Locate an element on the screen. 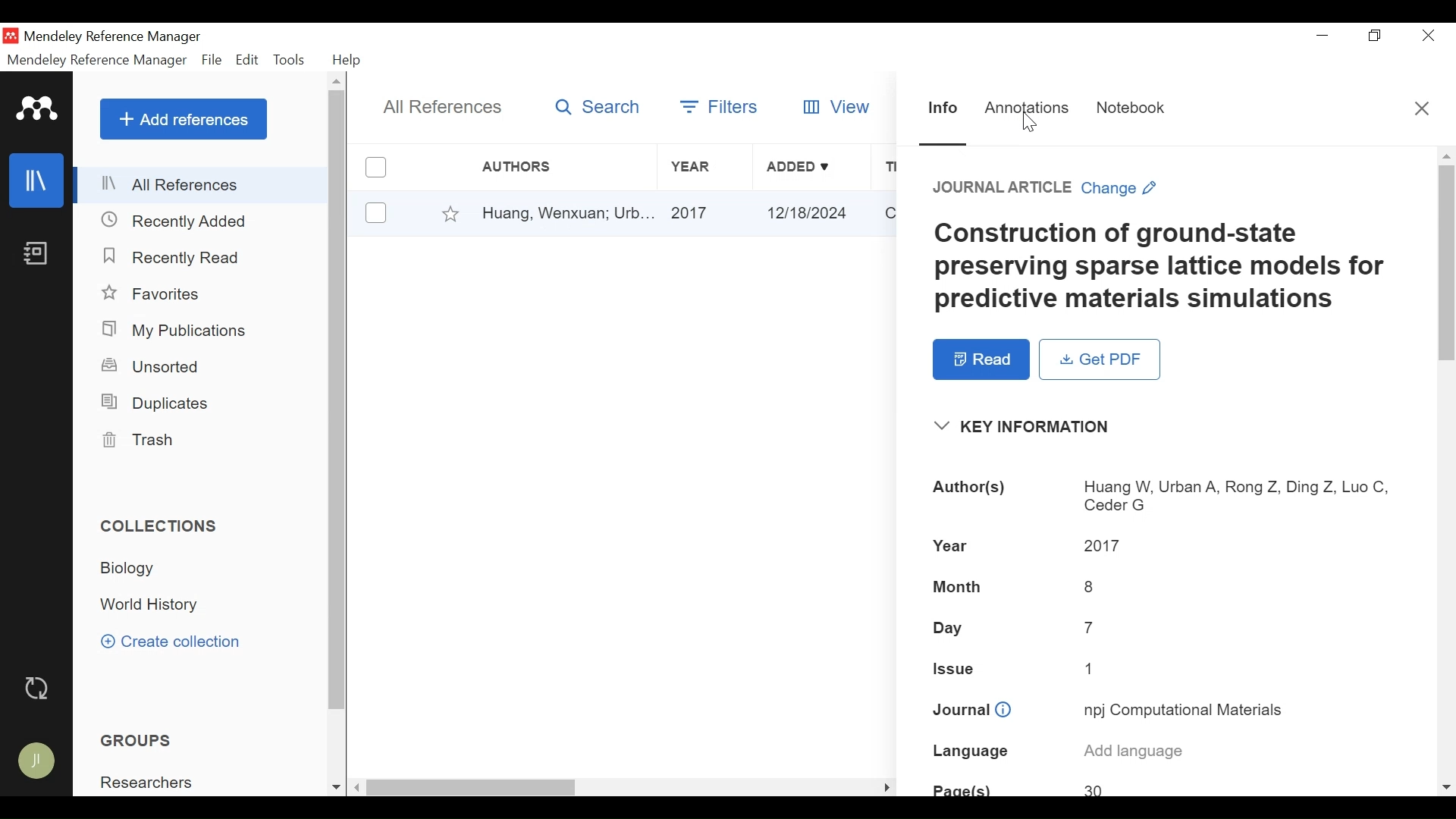 The image size is (1456, 819). Vertical Scroll bar is located at coordinates (1446, 265).